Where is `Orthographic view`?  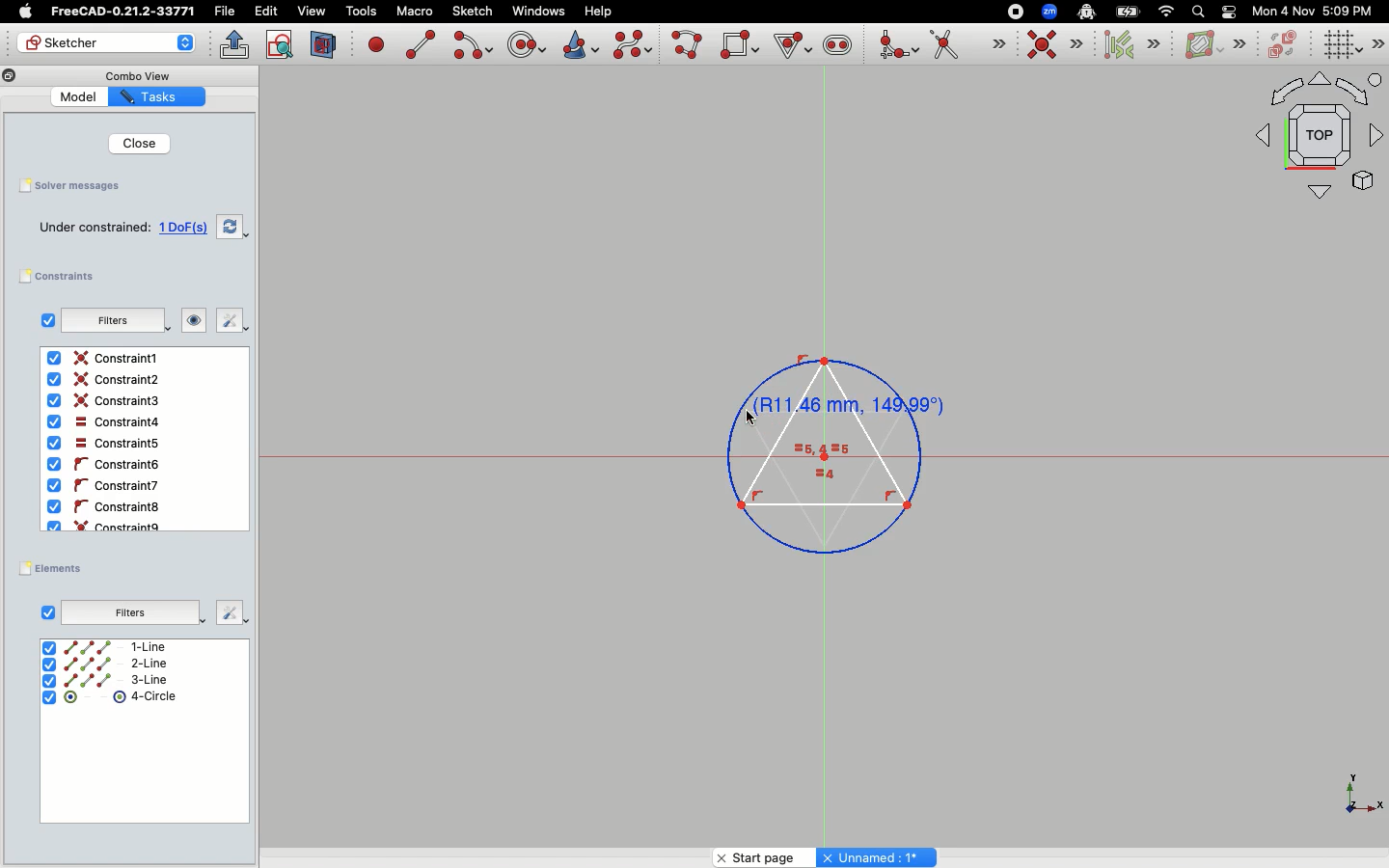
Orthographic view is located at coordinates (1320, 138).